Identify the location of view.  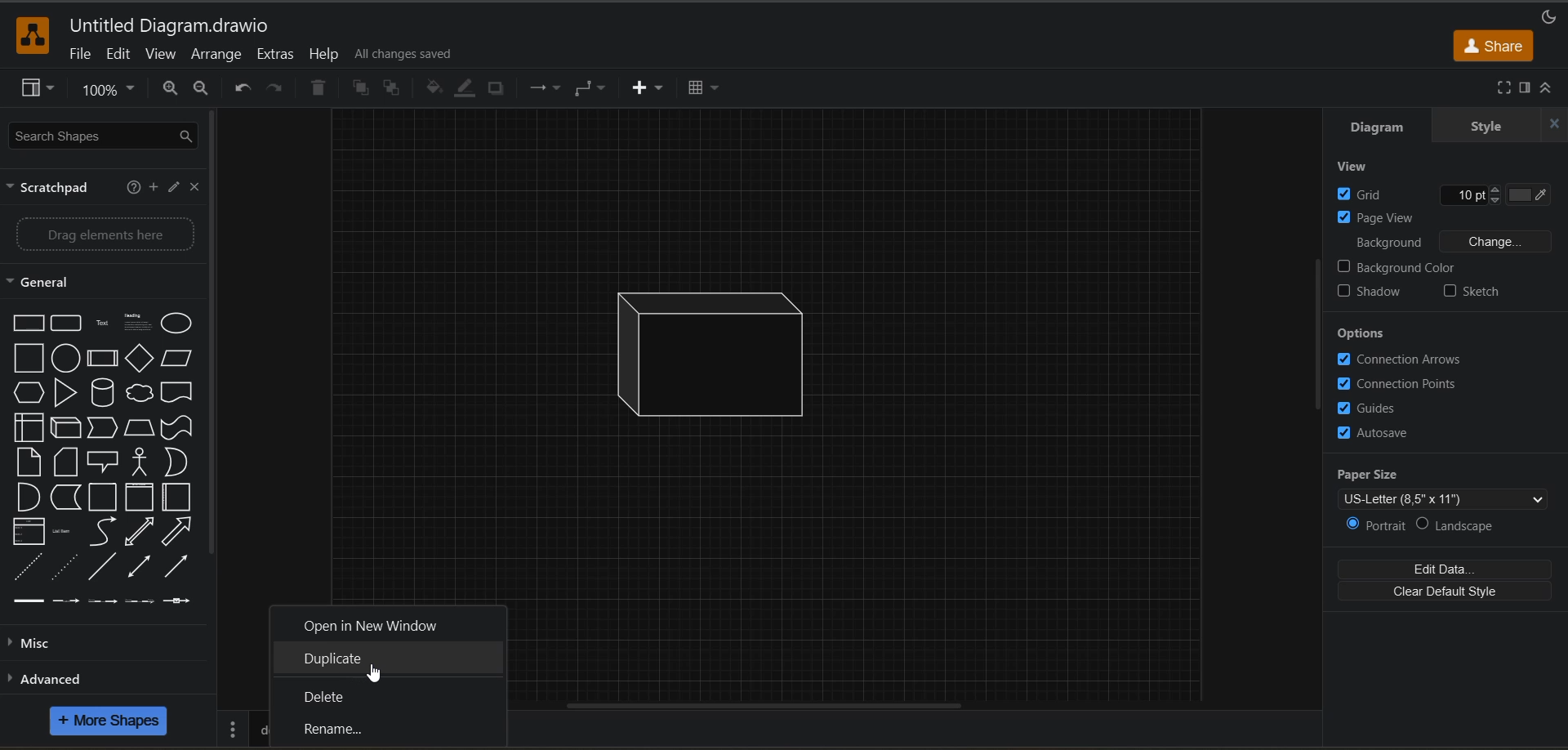
(159, 54).